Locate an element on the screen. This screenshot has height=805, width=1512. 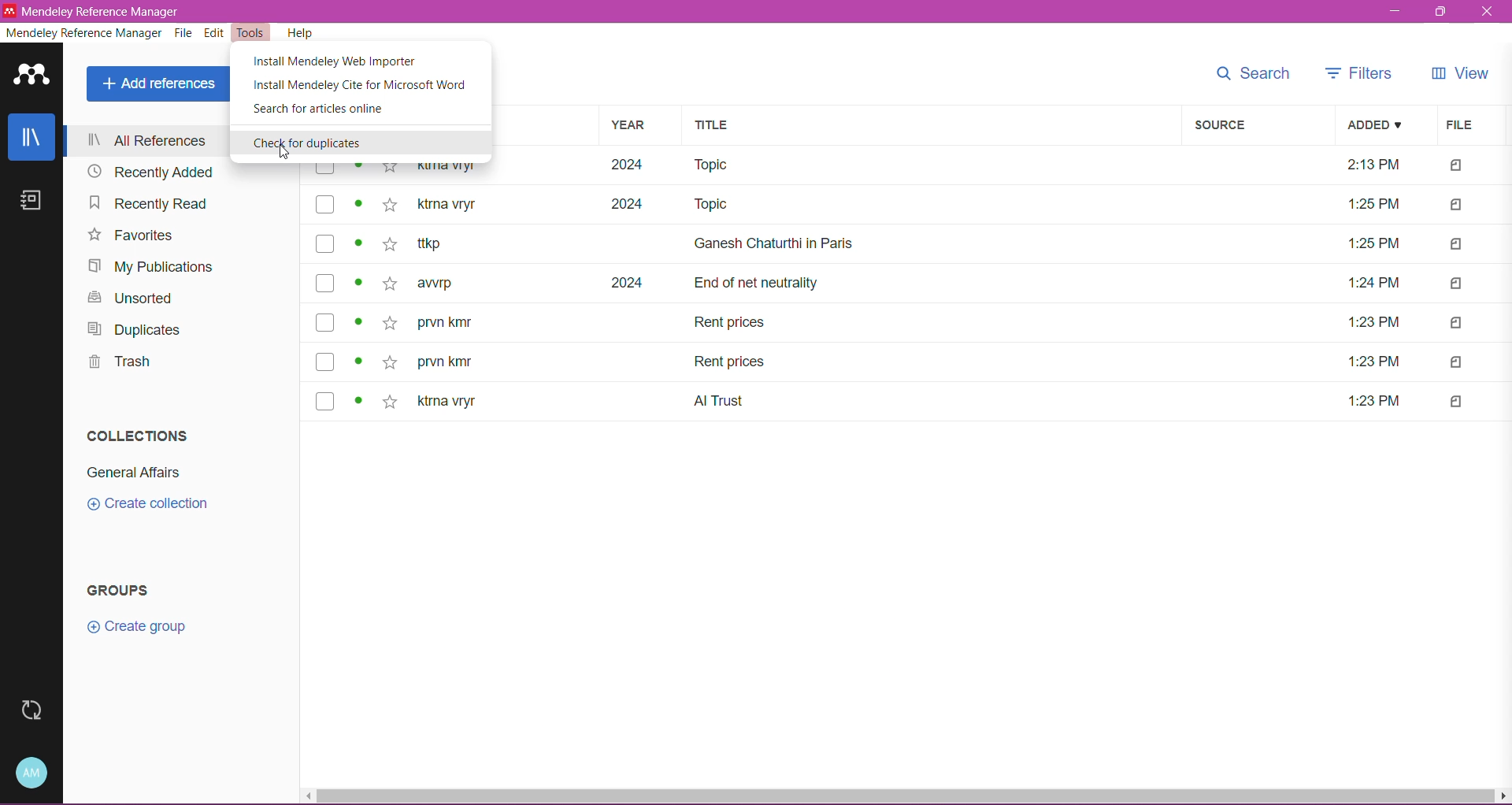
checkbox is located at coordinates (327, 243).